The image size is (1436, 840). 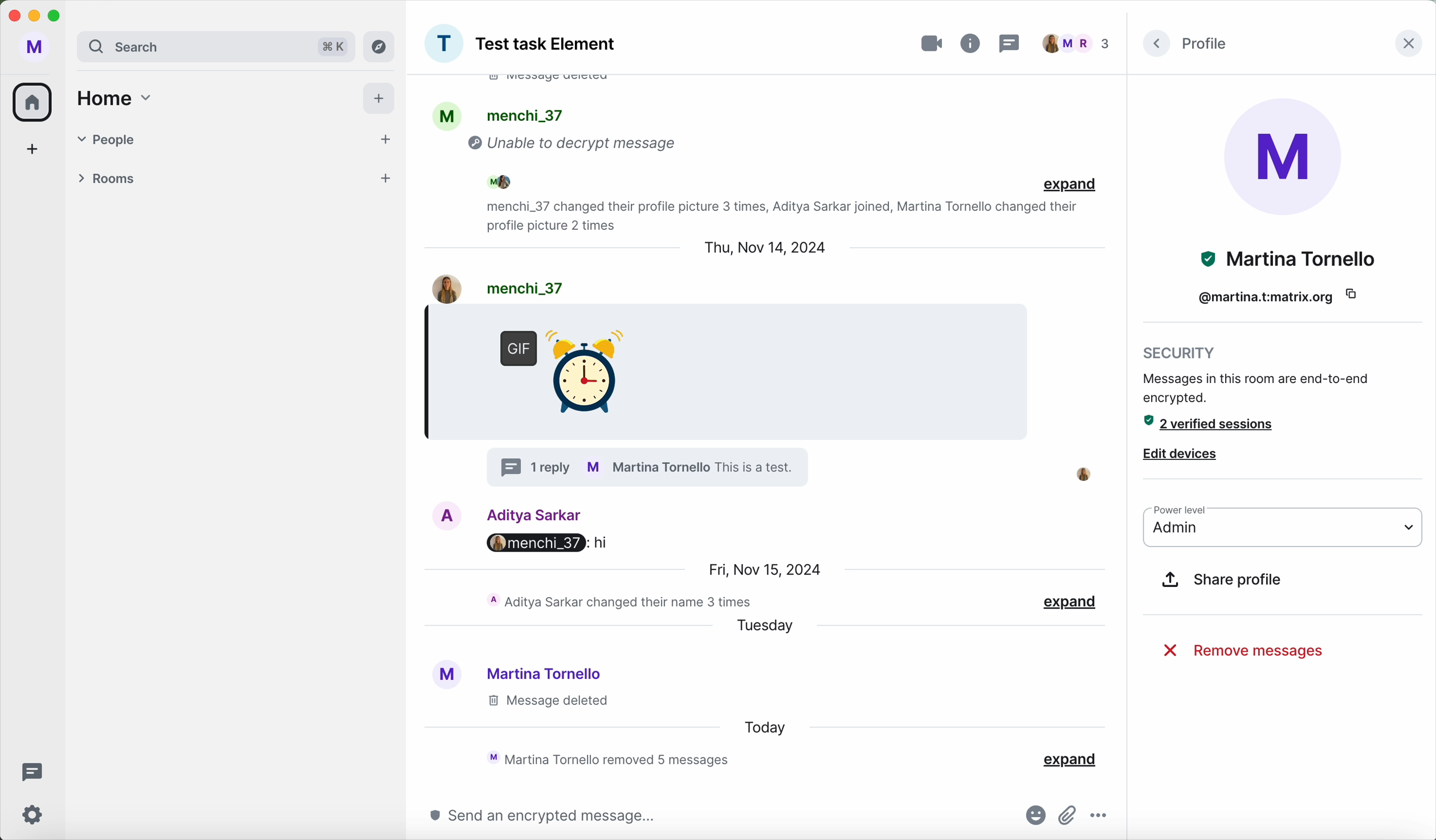 I want to click on level, so click(x=1185, y=510).